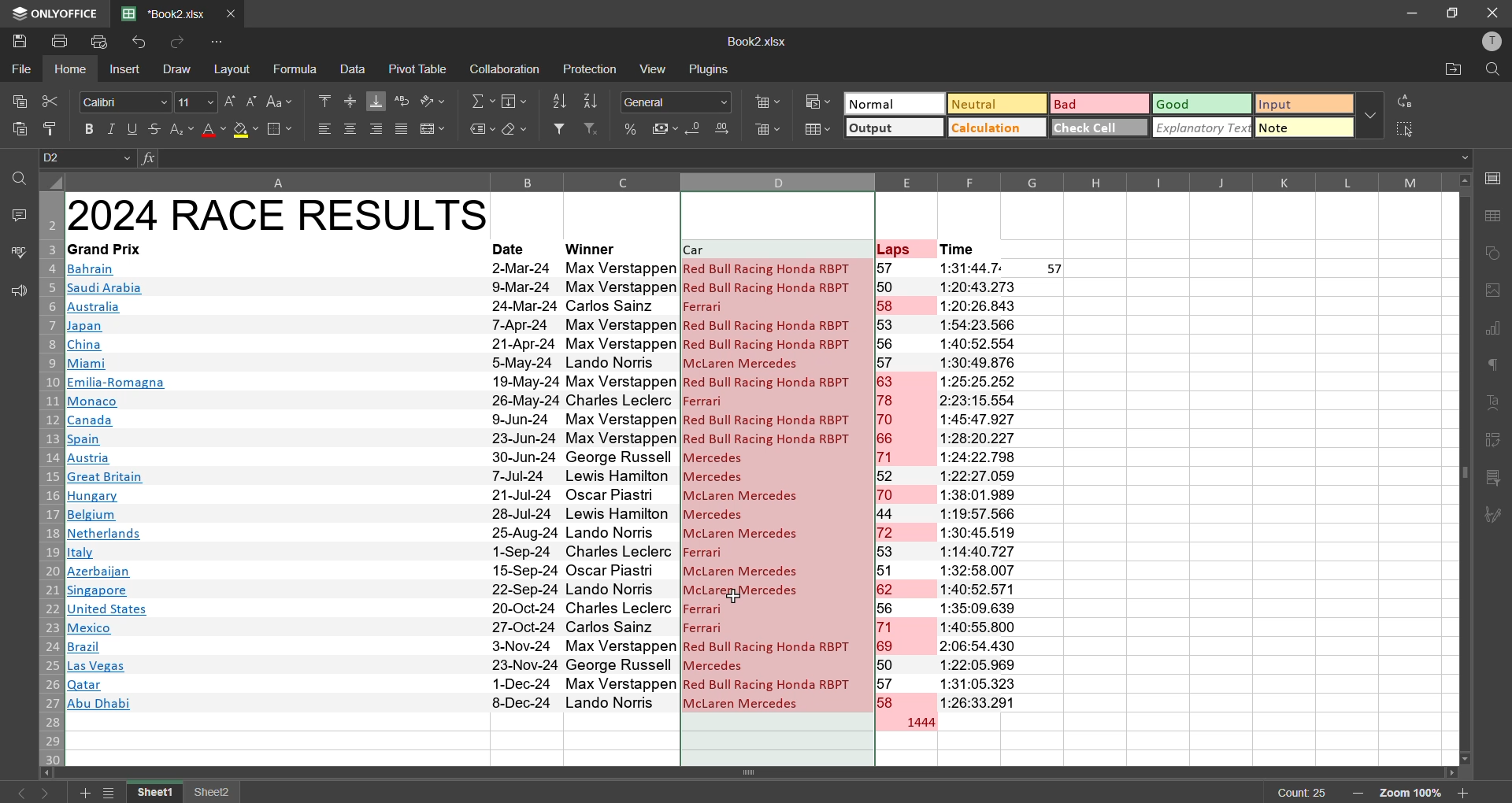  I want to click on fx, so click(150, 158).